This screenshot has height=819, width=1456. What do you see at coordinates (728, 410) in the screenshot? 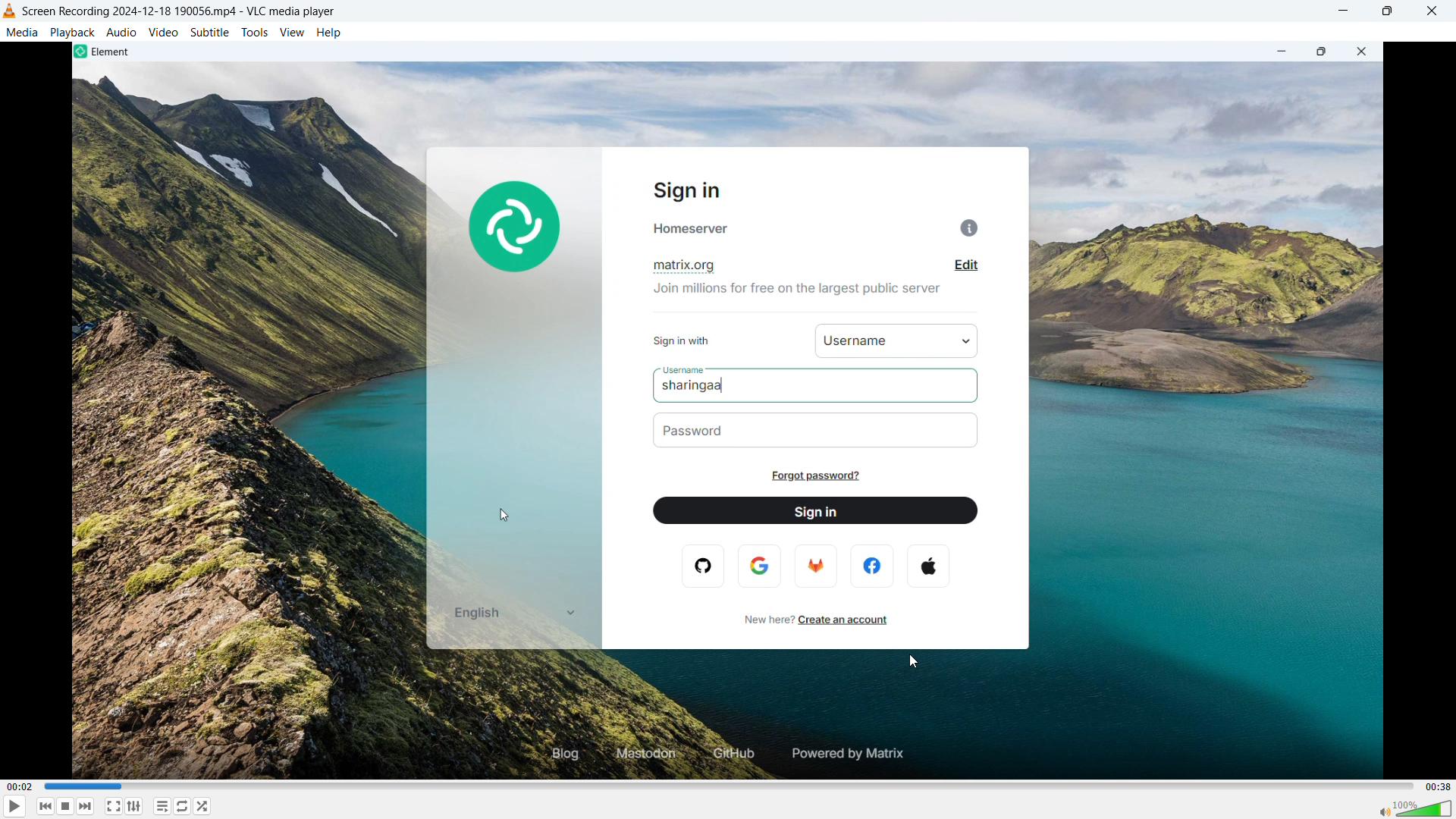
I see `Video playback ` at bounding box center [728, 410].